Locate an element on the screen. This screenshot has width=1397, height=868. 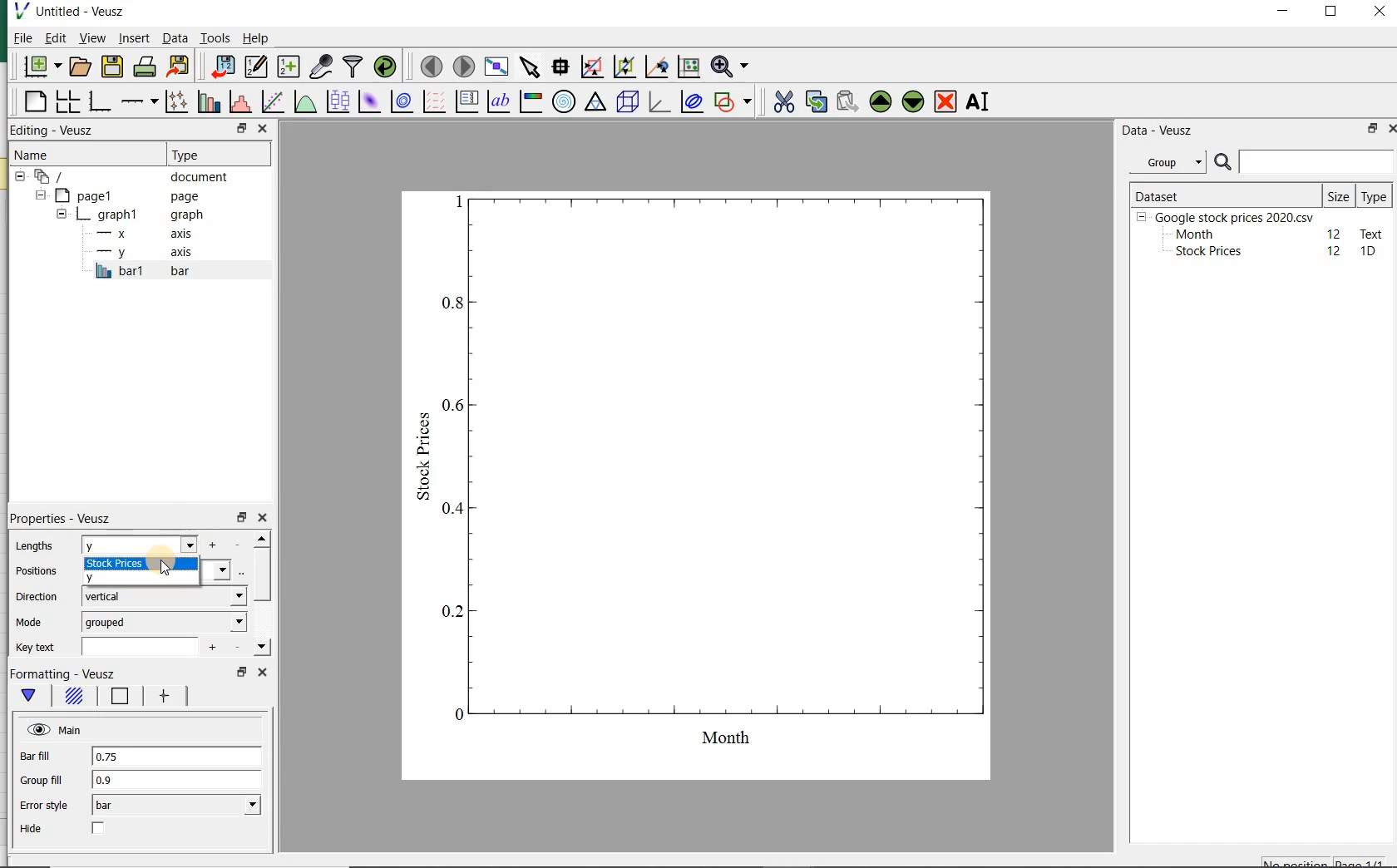
image color bar is located at coordinates (529, 101).